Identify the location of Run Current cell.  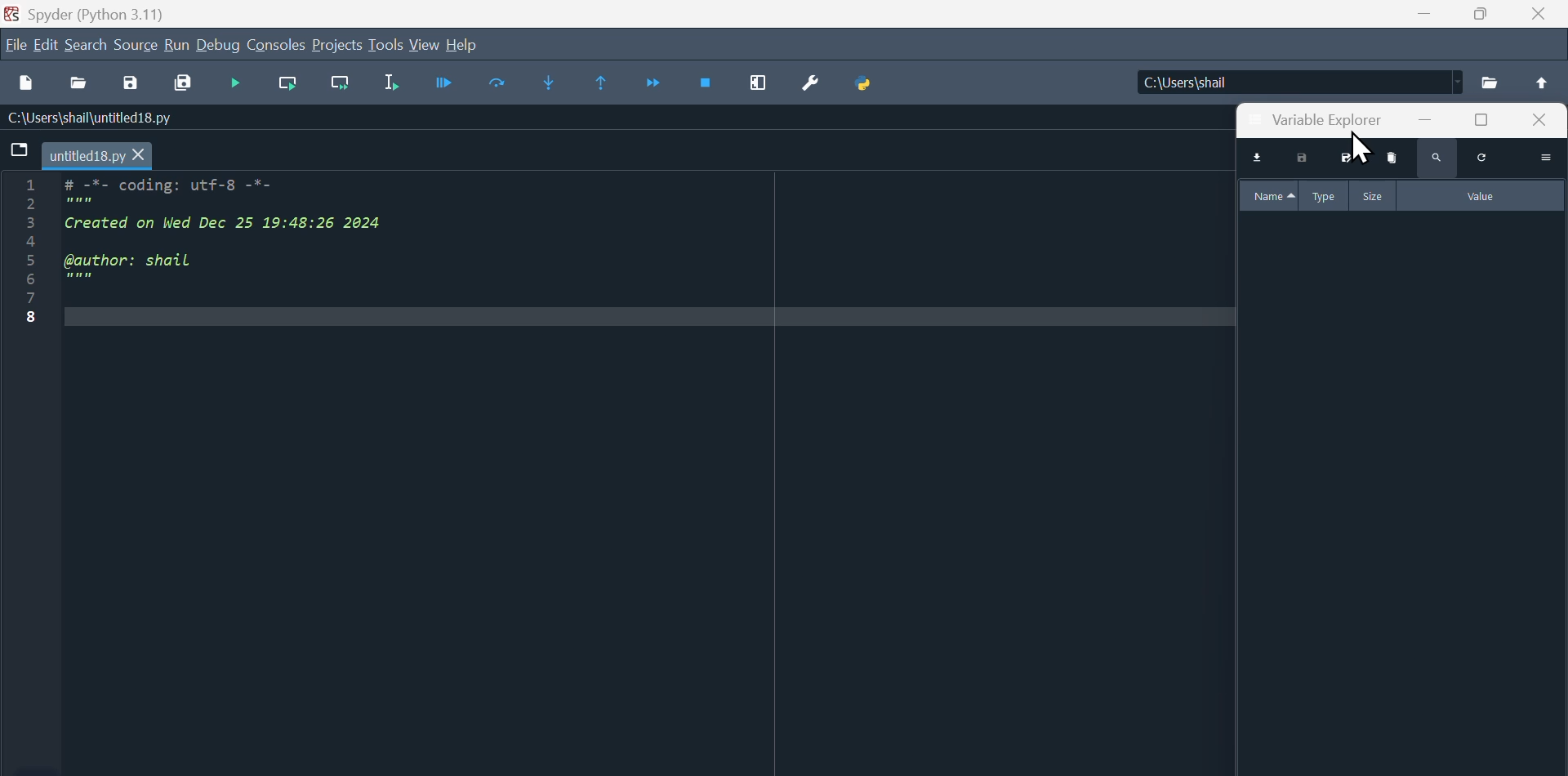
(292, 84).